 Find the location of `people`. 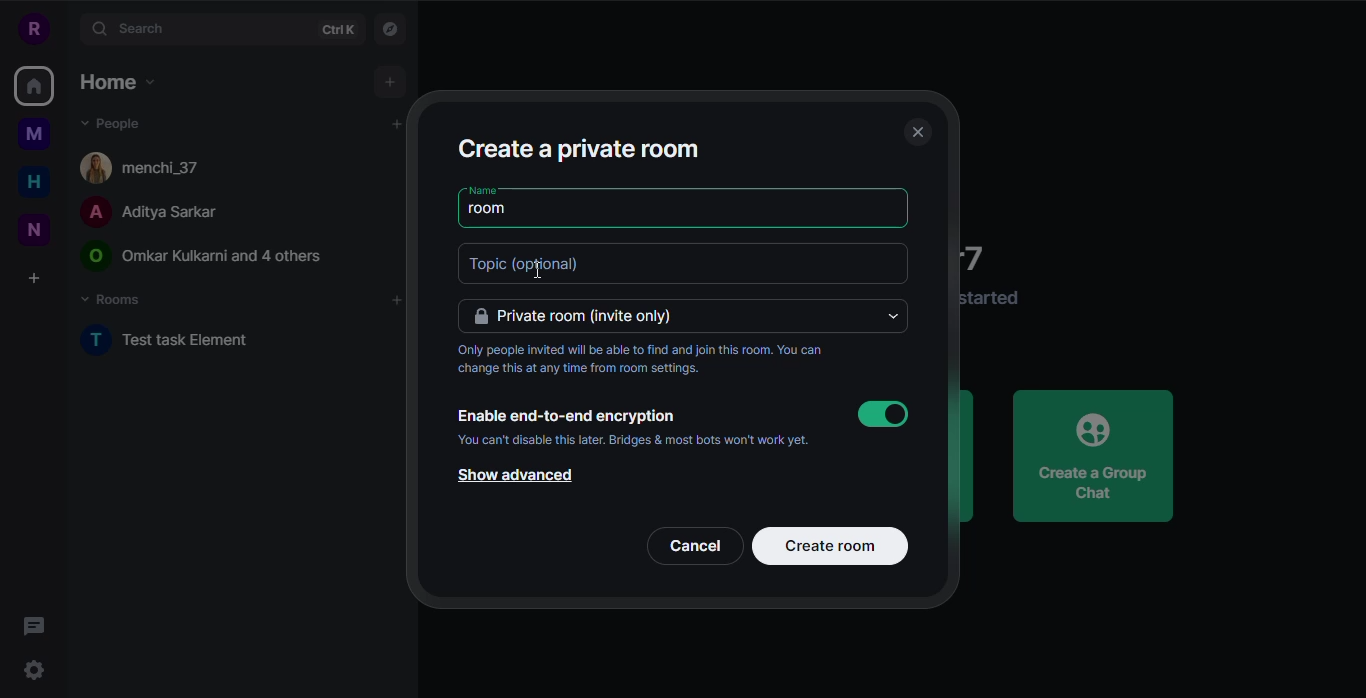

people is located at coordinates (112, 122).